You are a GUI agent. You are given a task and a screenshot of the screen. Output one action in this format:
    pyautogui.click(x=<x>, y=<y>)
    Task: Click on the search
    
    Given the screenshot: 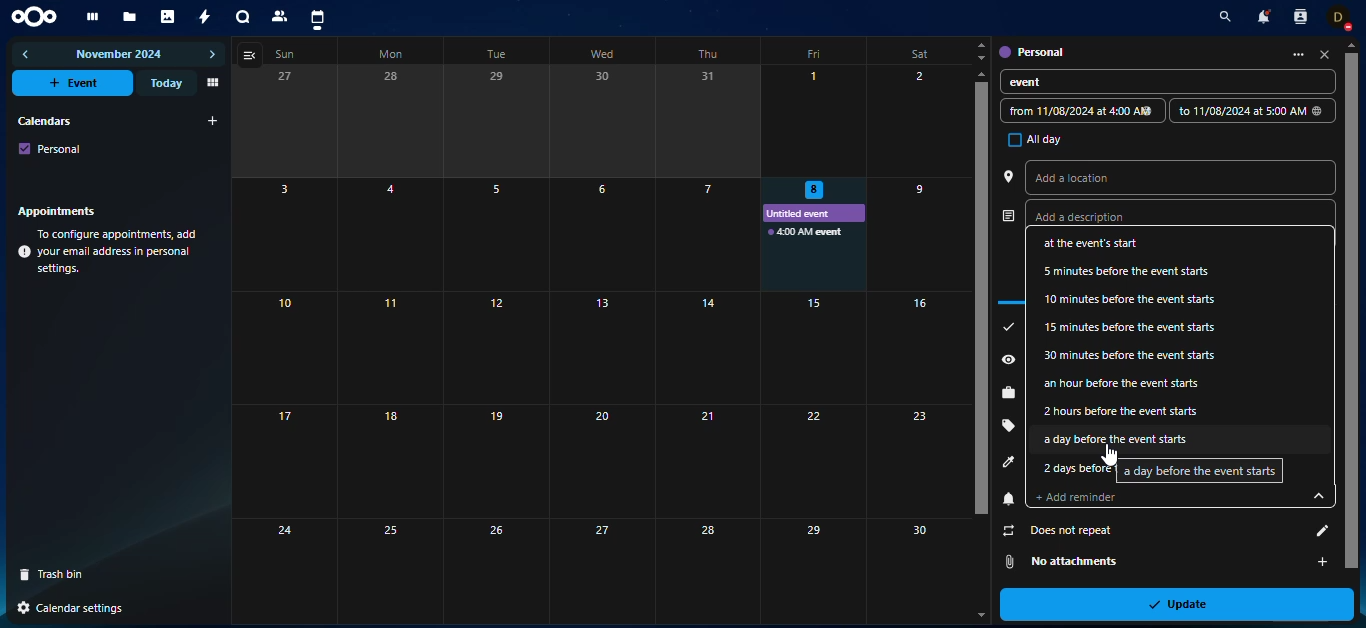 What is the action you would take?
    pyautogui.click(x=1221, y=18)
    